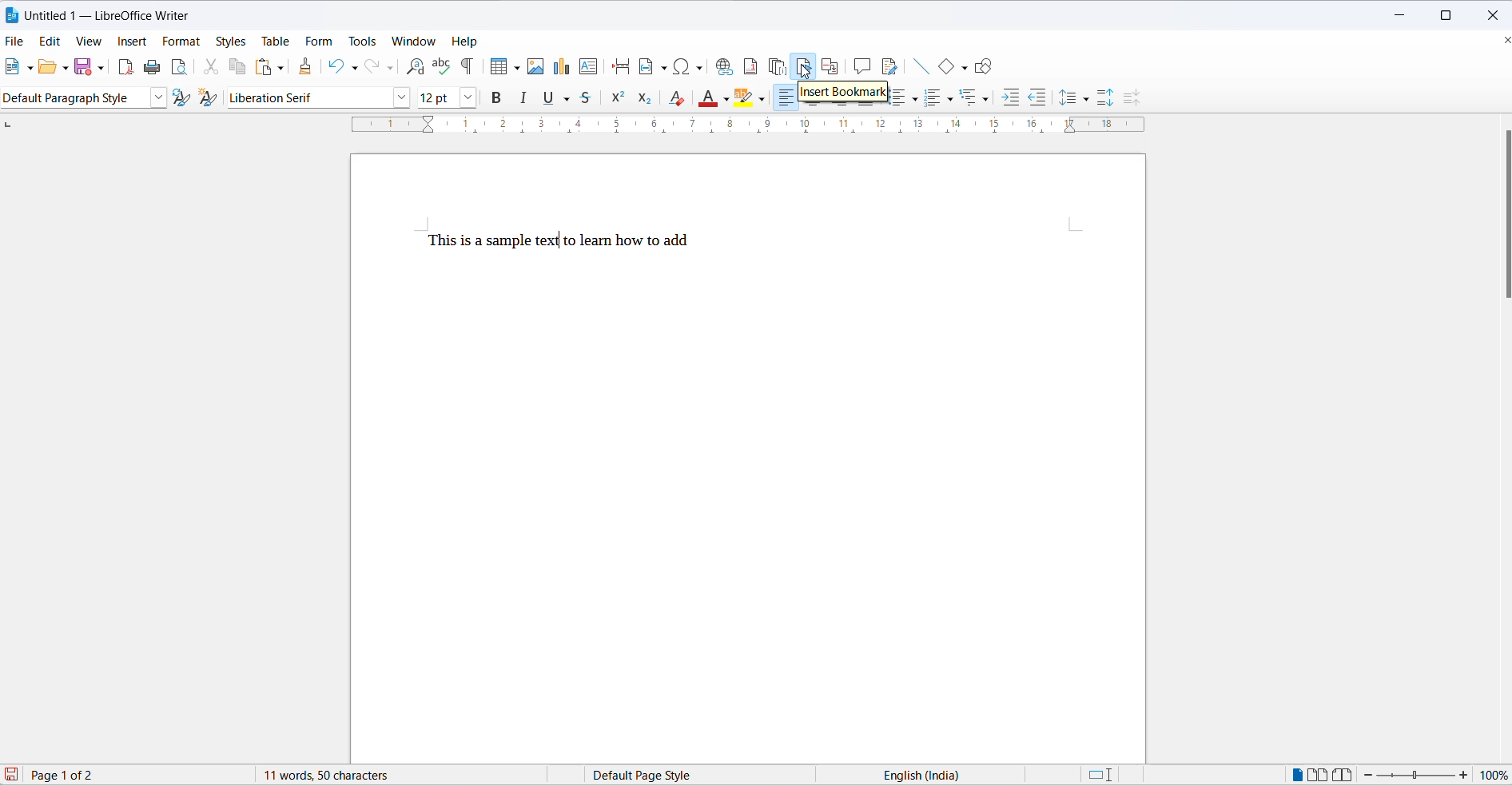 This screenshot has height=786, width=1512. I want to click on undo options, so click(356, 66).